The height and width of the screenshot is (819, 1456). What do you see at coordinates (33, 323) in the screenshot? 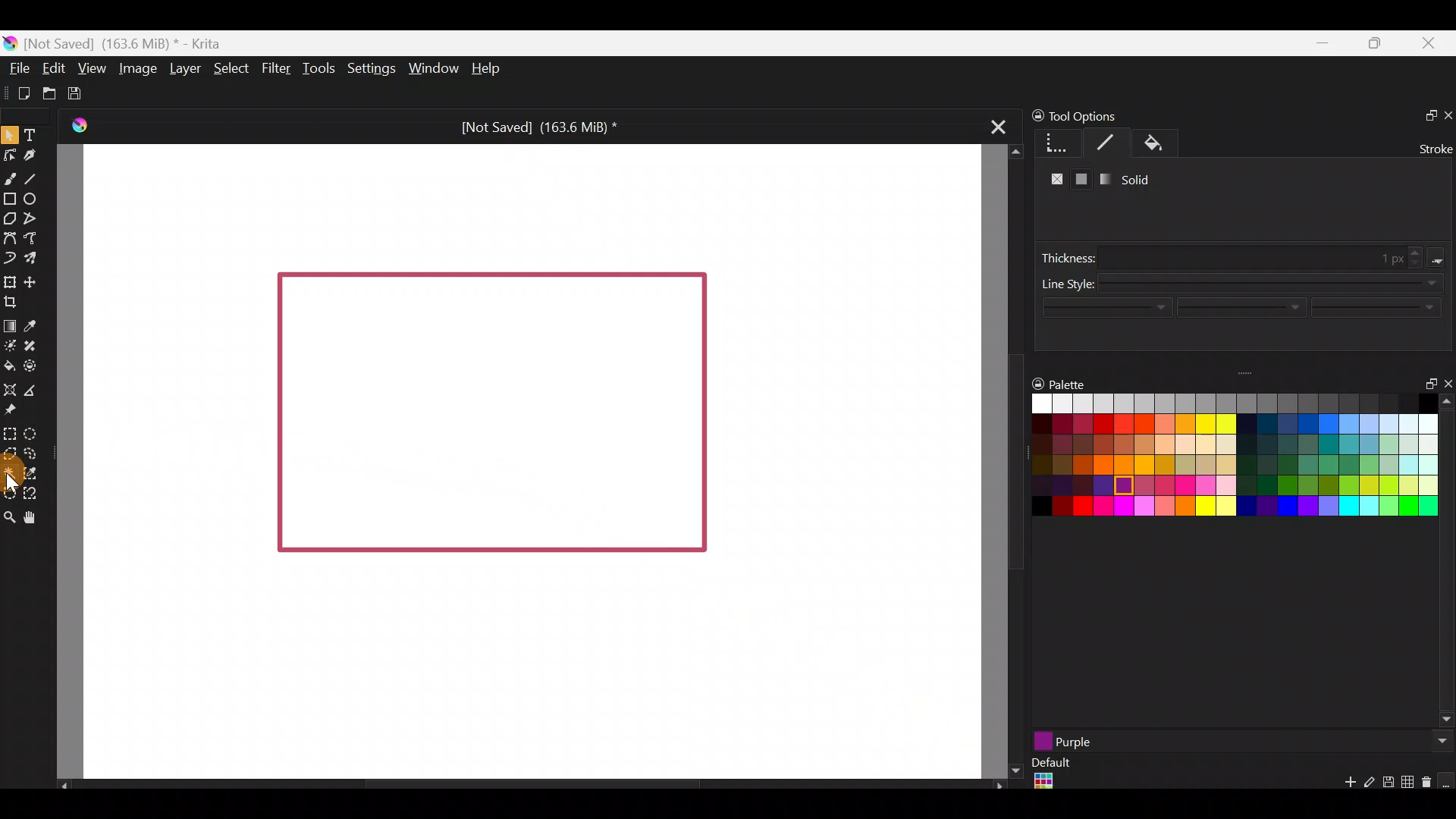
I see `Sample a colour from the image/current layer` at bounding box center [33, 323].